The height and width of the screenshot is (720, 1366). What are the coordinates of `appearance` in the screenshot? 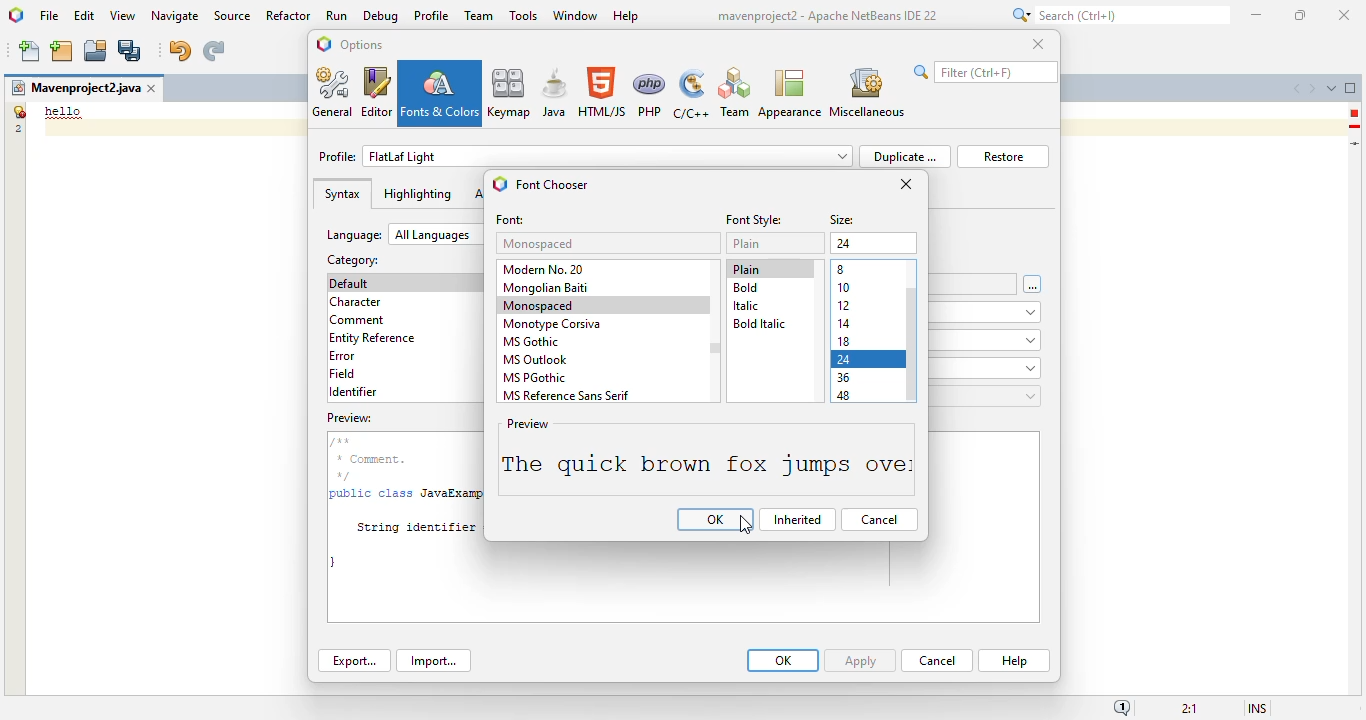 It's located at (790, 94).